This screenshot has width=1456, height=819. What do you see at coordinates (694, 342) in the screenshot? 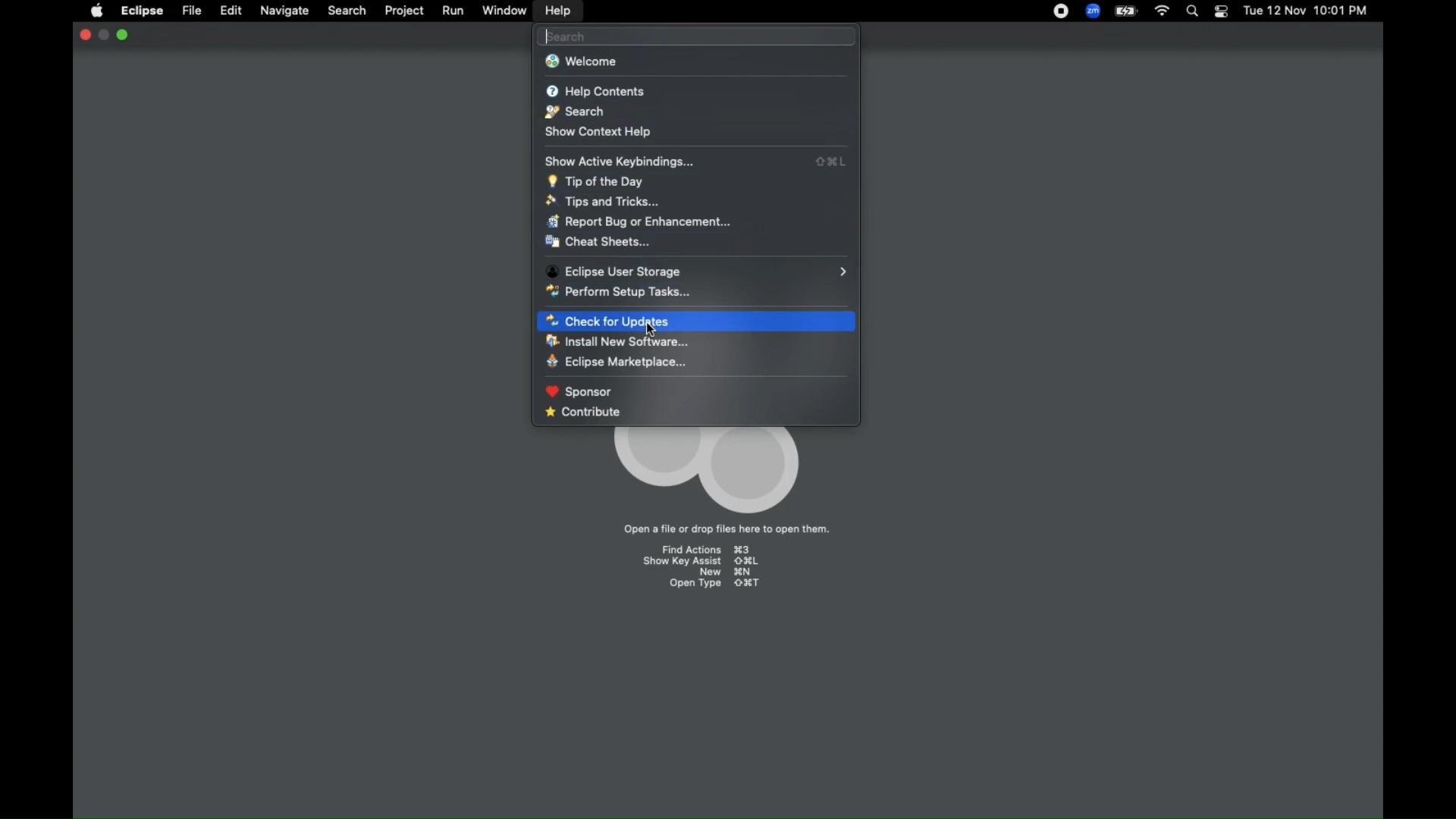
I see `Install New Software` at bounding box center [694, 342].